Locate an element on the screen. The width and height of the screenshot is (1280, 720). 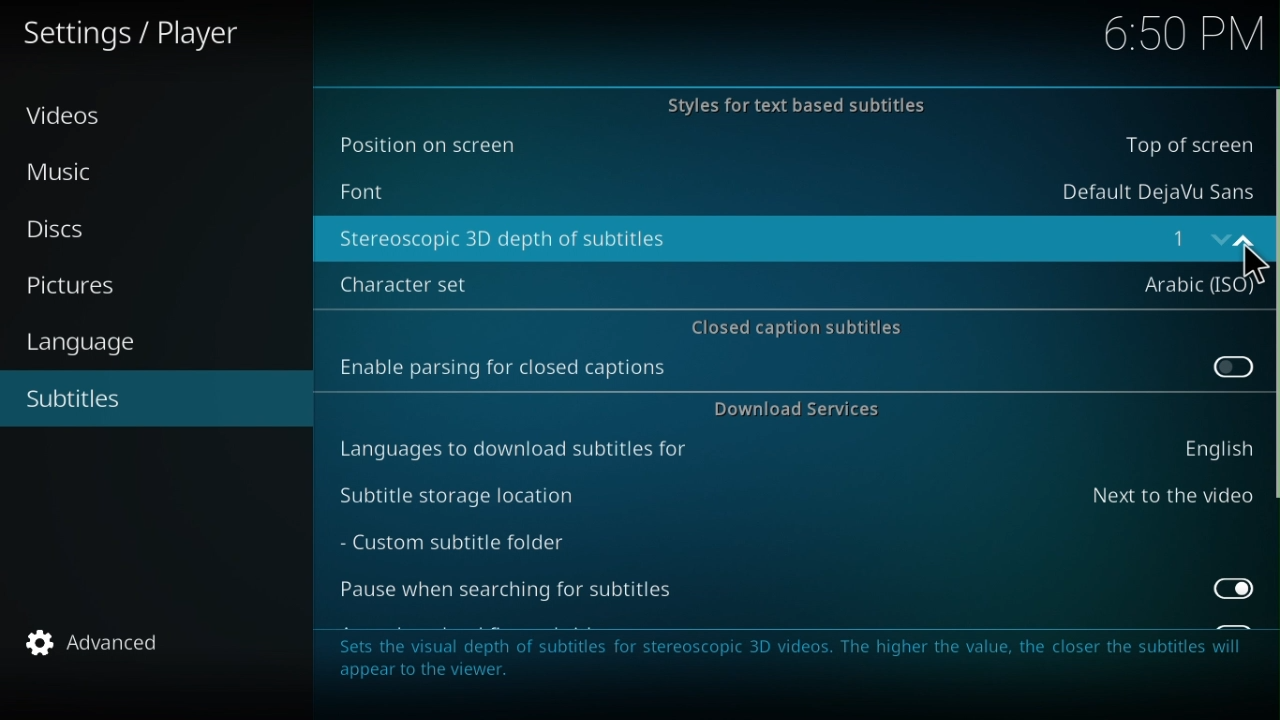
Position on the screen is located at coordinates (787, 146).